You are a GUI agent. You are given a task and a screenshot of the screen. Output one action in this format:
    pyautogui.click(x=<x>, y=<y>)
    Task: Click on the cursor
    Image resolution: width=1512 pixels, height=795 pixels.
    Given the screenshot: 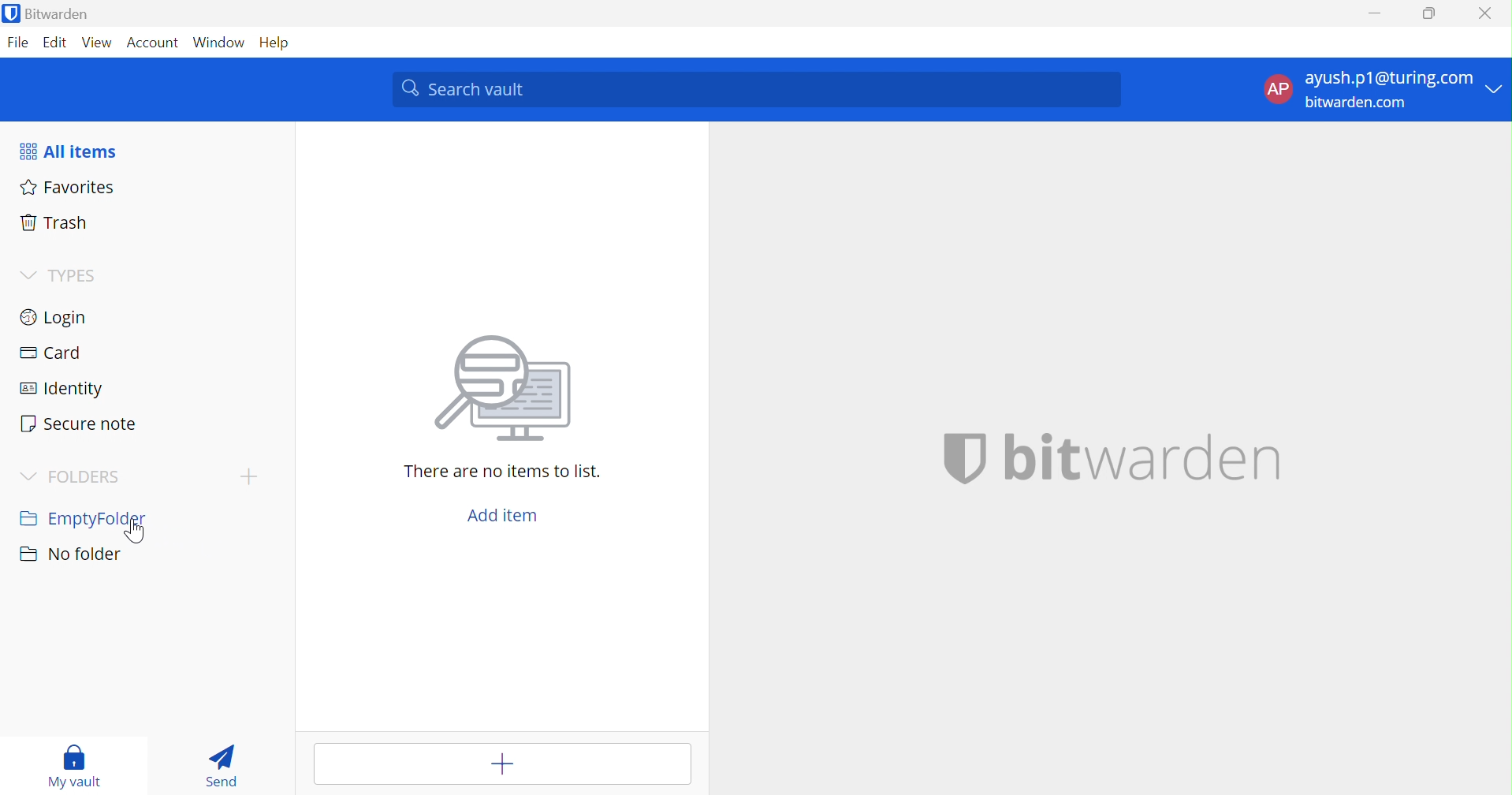 What is the action you would take?
    pyautogui.click(x=136, y=530)
    